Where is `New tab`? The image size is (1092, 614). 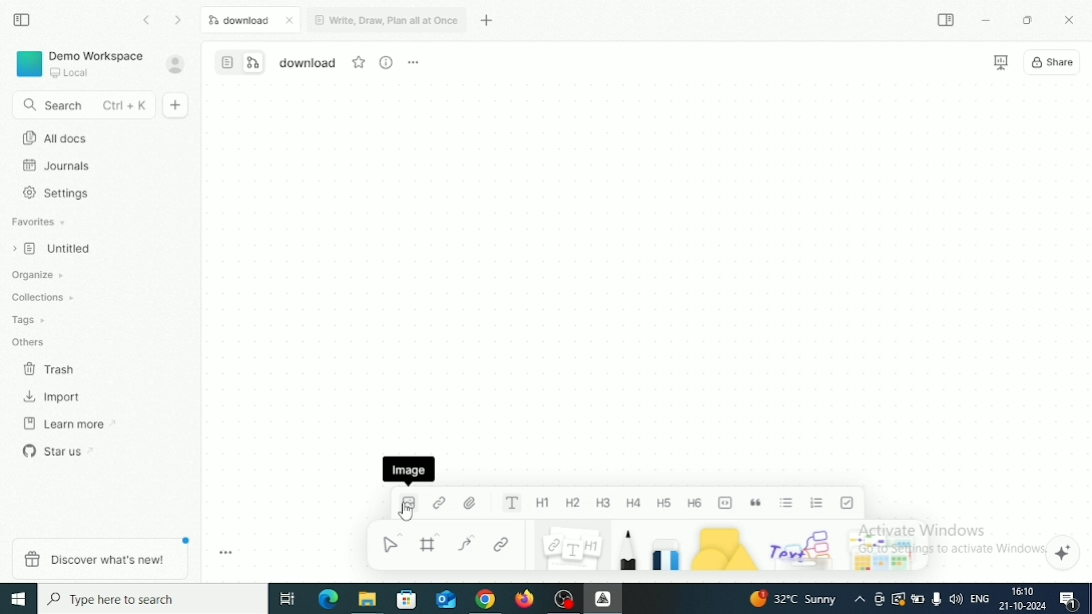
New tab is located at coordinates (487, 20).